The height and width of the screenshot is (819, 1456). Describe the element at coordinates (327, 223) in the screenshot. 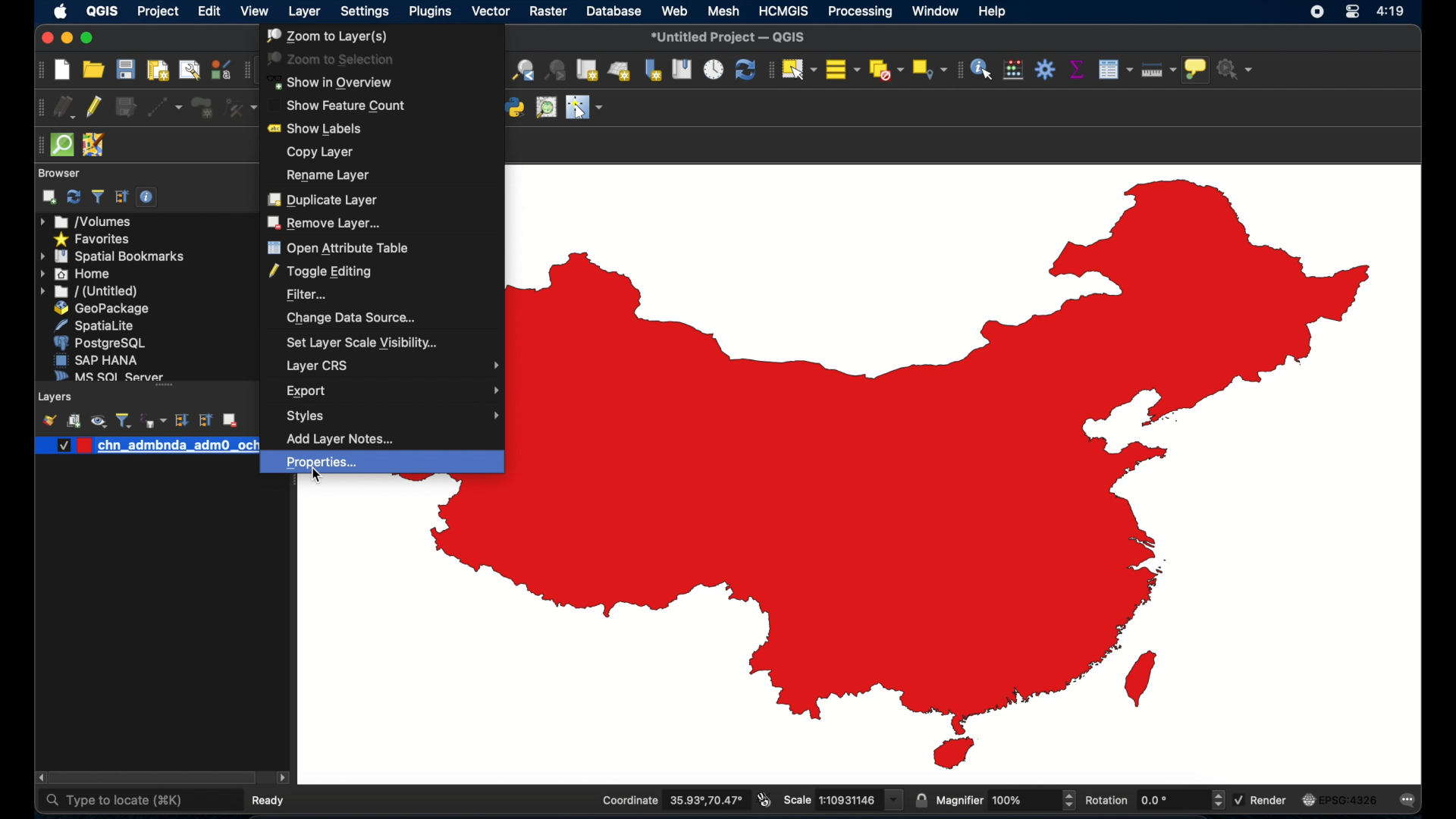

I see `remove layer` at that location.